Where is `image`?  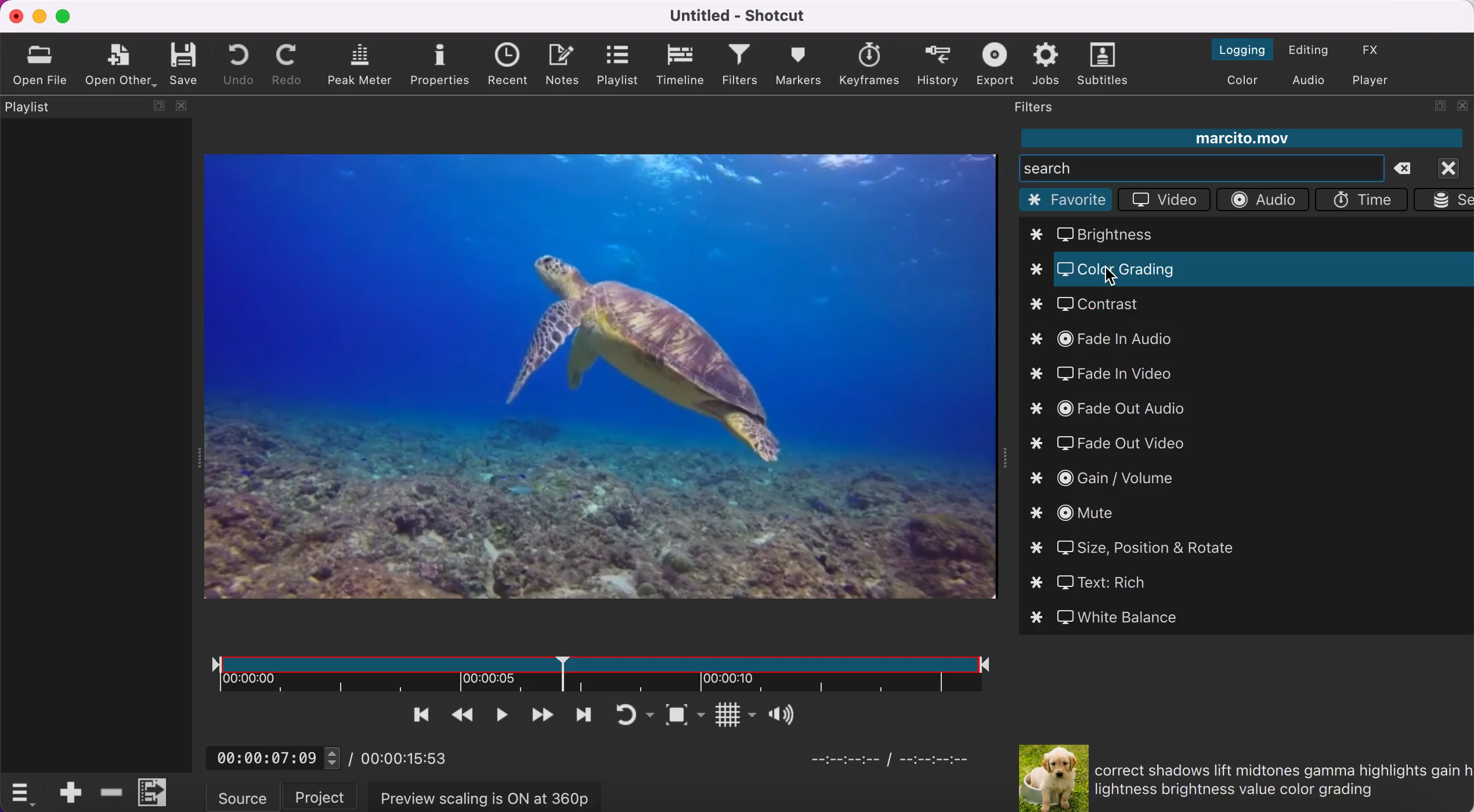
image is located at coordinates (1046, 777).